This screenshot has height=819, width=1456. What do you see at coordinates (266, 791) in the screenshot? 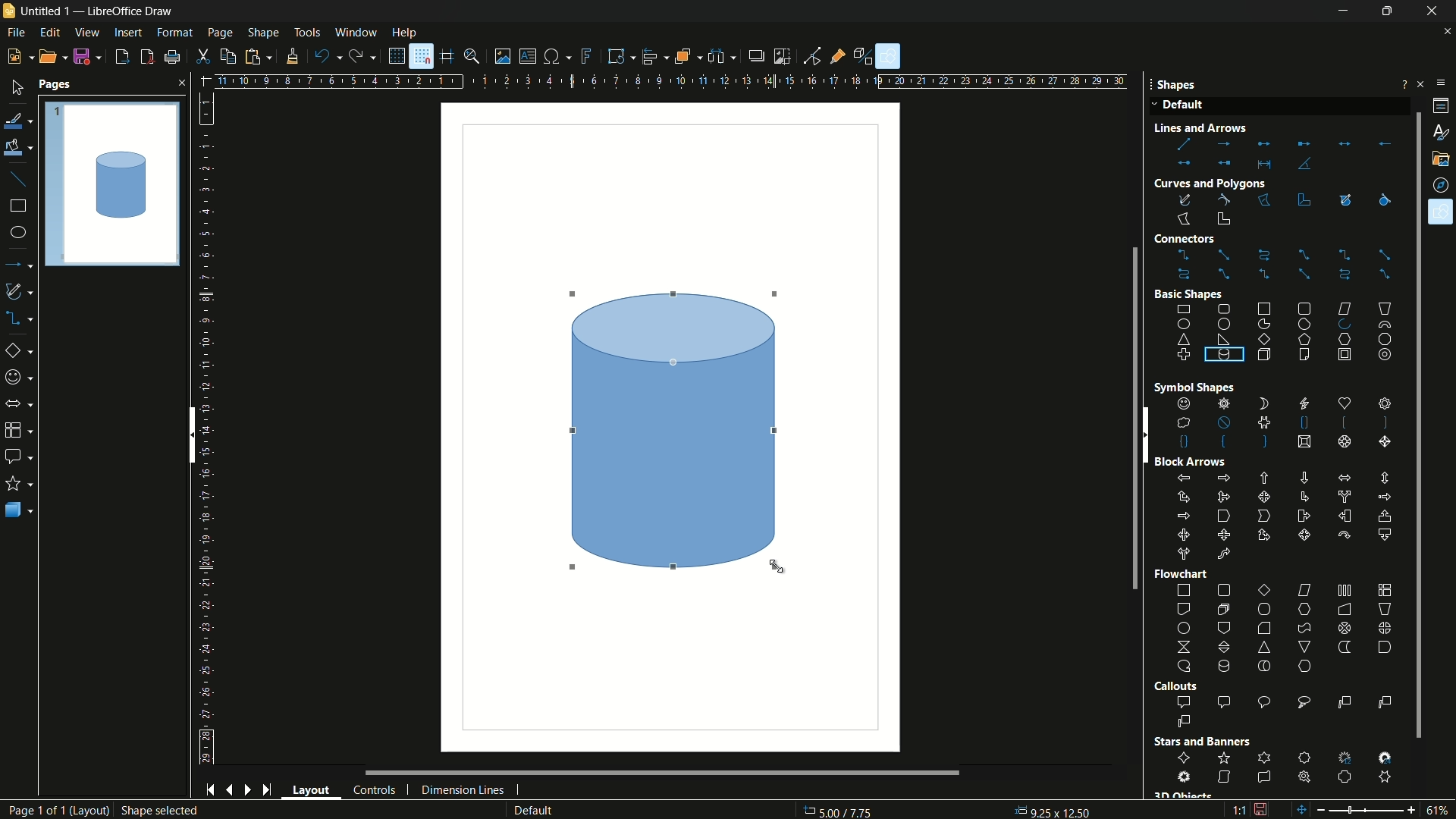
I see `end page` at bounding box center [266, 791].